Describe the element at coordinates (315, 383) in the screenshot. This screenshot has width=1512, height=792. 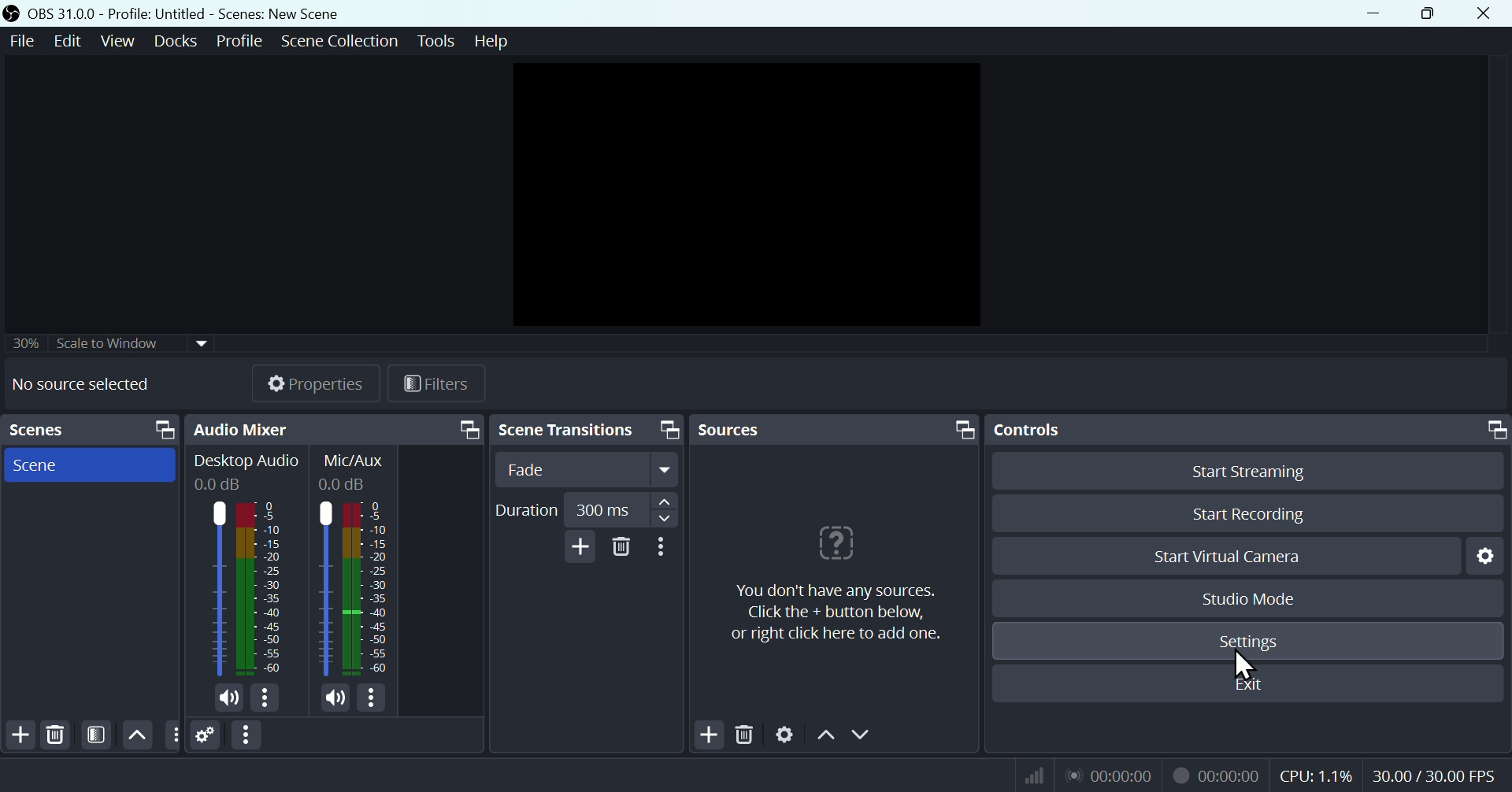
I see `Properties` at that location.